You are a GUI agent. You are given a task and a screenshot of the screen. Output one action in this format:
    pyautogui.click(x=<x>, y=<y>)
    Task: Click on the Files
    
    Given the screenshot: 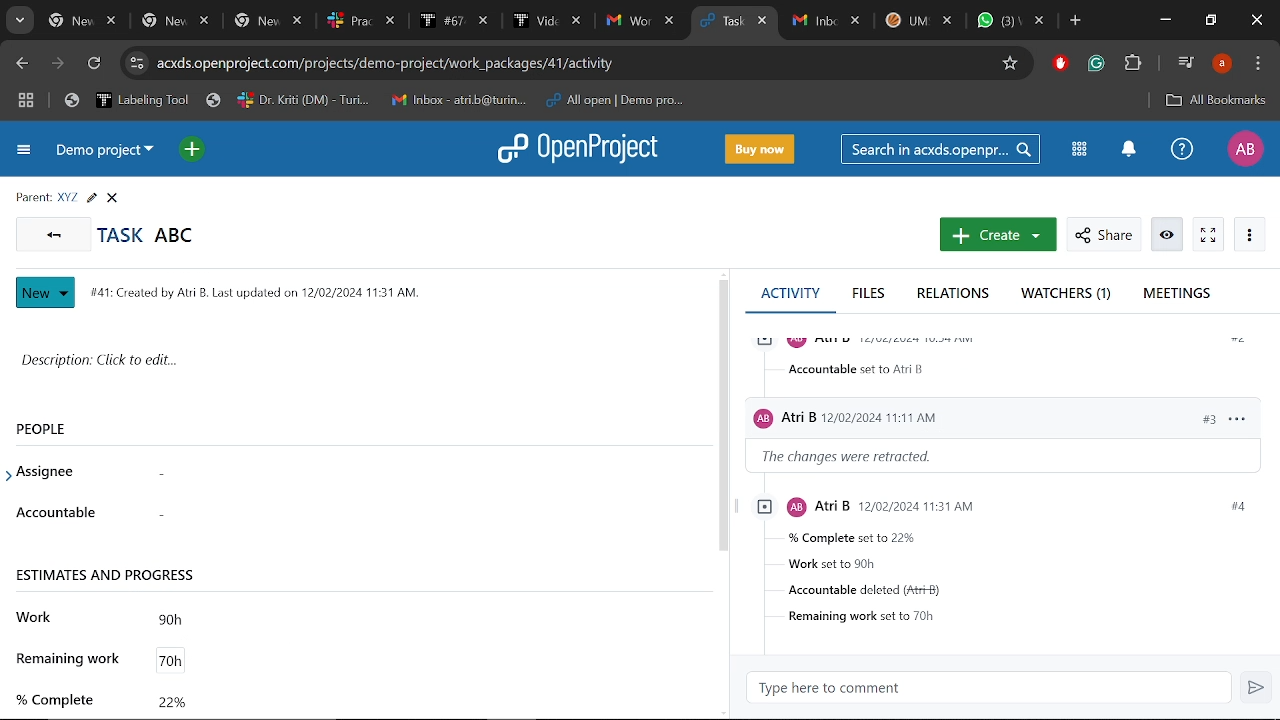 What is the action you would take?
    pyautogui.click(x=870, y=295)
    